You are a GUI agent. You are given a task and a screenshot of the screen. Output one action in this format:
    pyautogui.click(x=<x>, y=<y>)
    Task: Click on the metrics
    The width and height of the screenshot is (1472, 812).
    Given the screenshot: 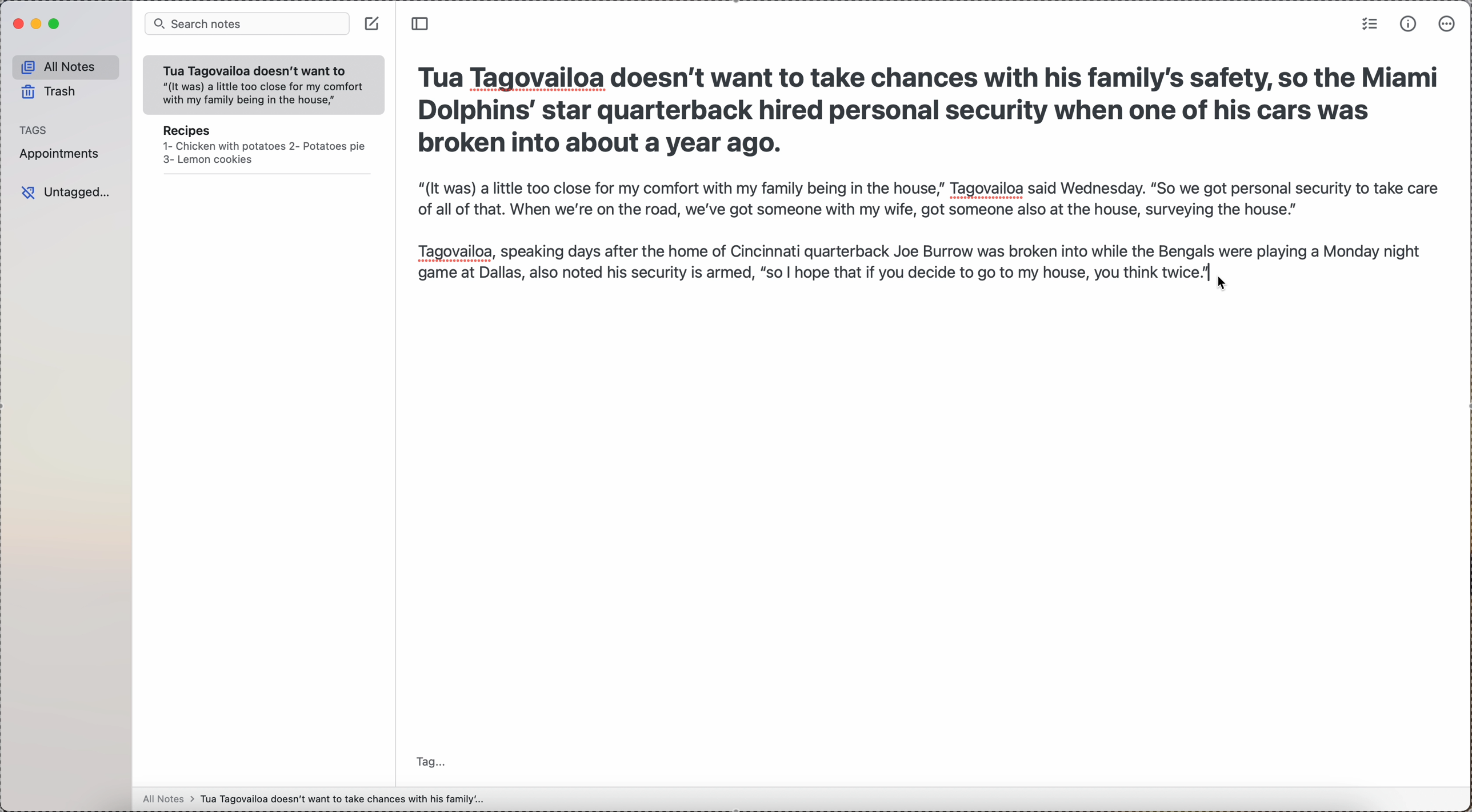 What is the action you would take?
    pyautogui.click(x=1409, y=23)
    